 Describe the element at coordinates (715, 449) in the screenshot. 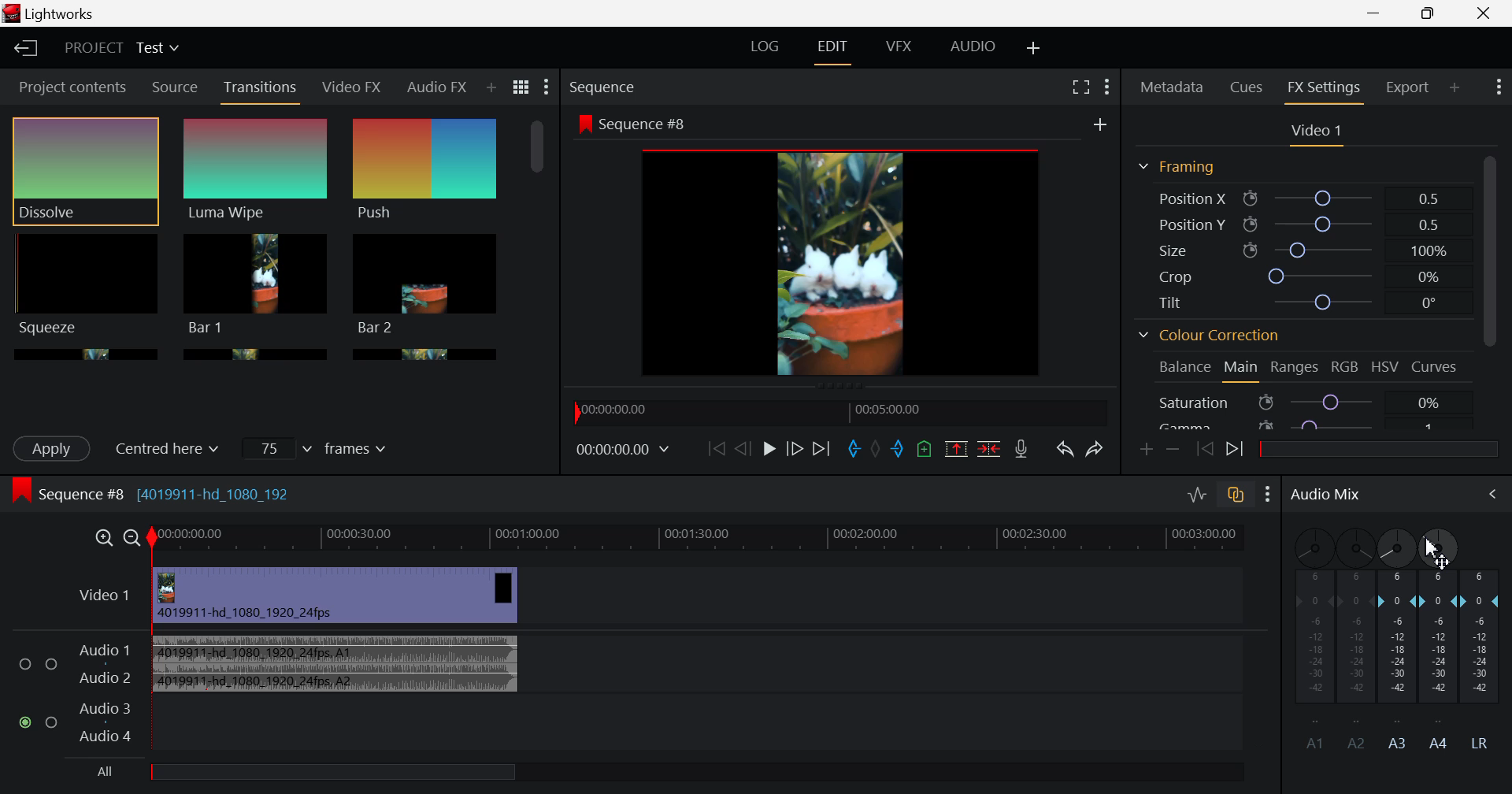

I see `To start` at that location.